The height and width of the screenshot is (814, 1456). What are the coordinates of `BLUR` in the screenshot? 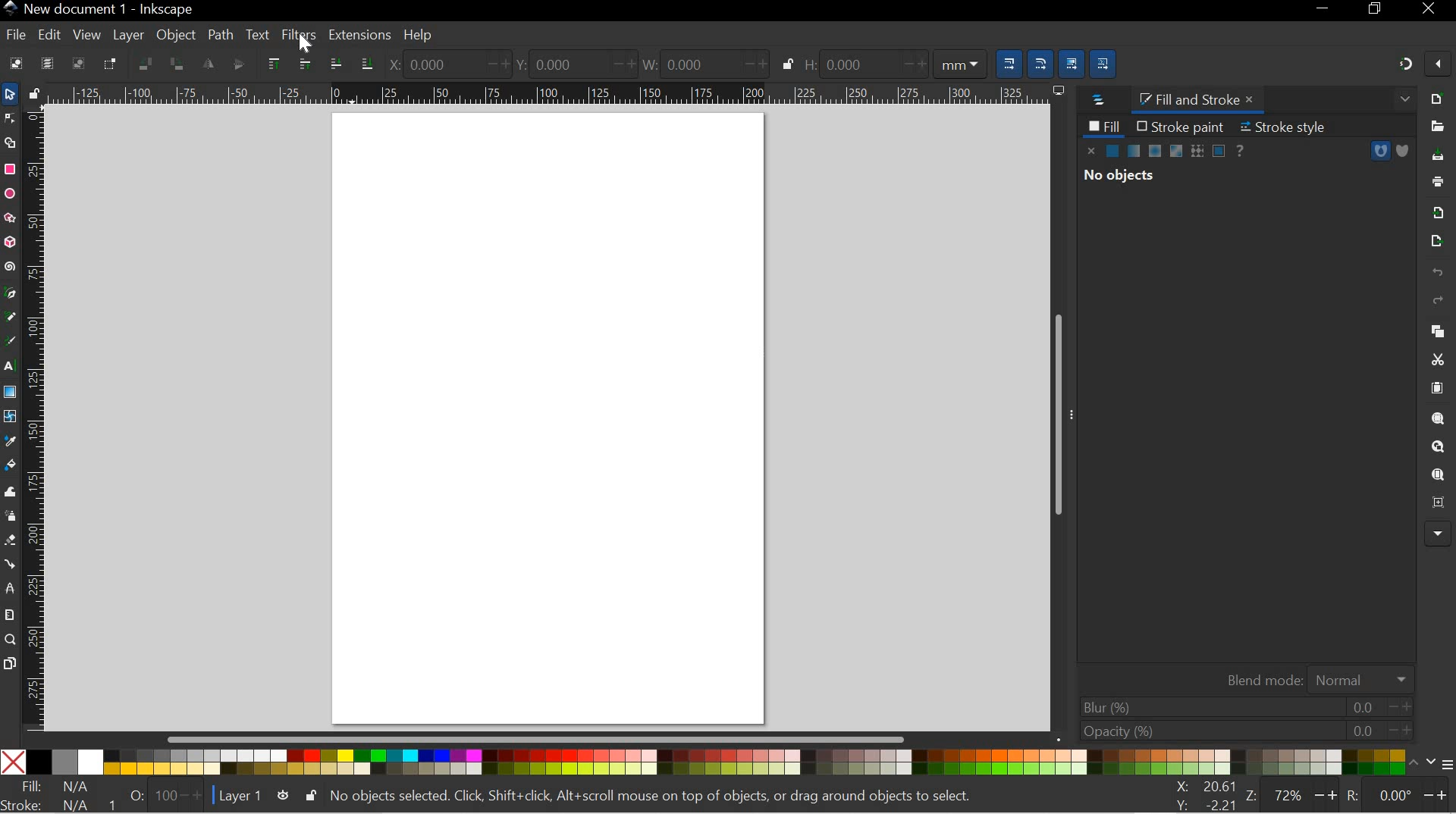 It's located at (1244, 706).